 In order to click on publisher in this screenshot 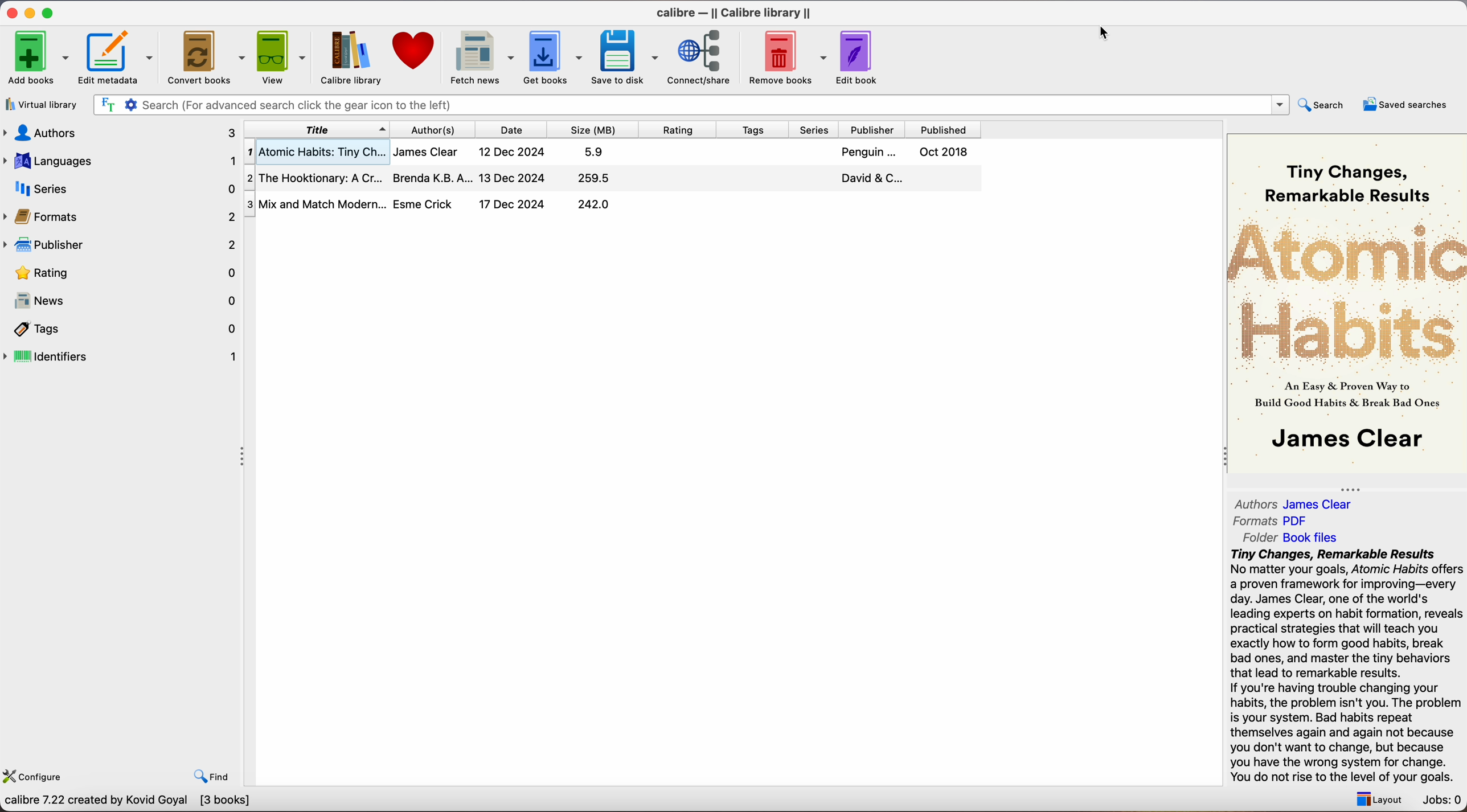, I will do `click(123, 244)`.